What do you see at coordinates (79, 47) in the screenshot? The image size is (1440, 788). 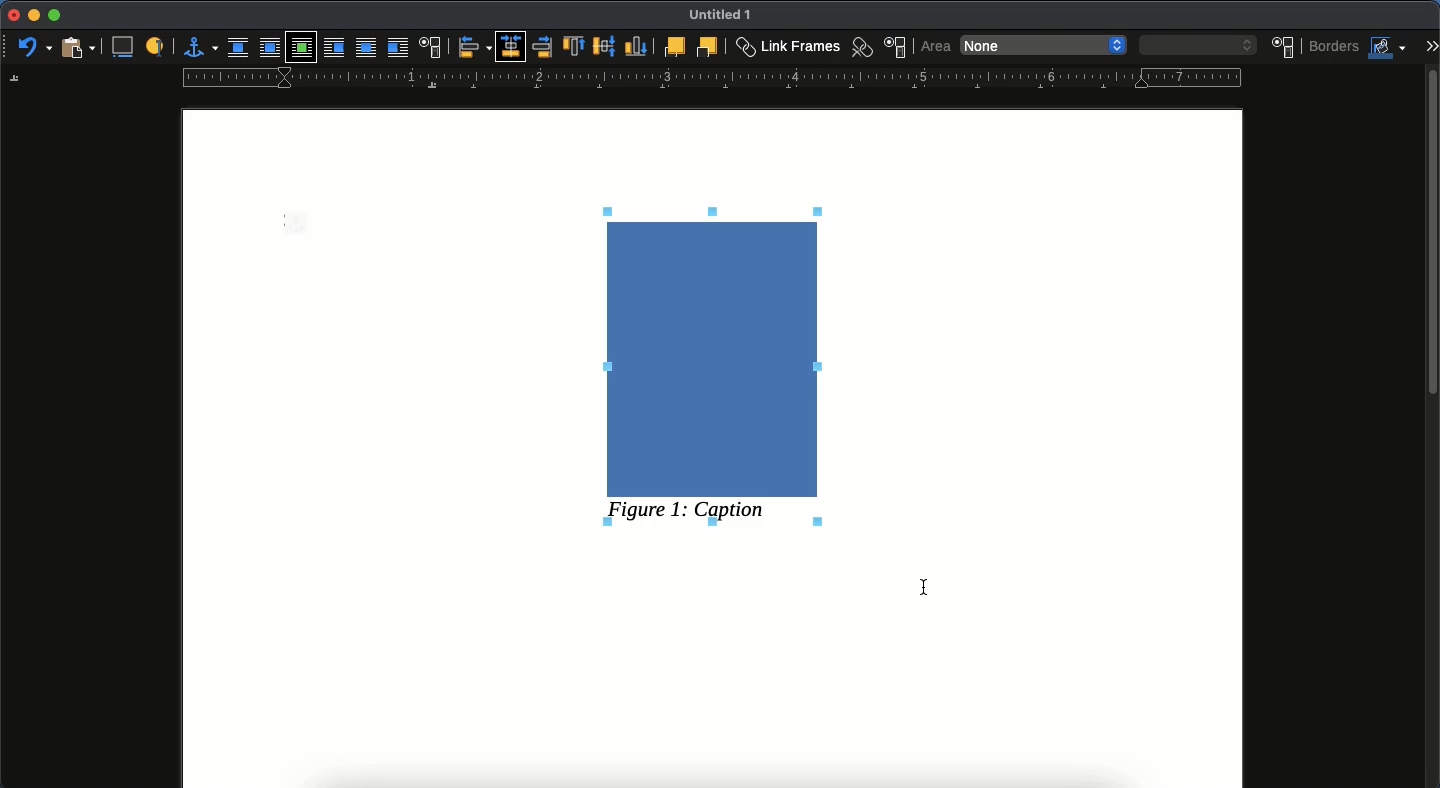 I see `paste` at bounding box center [79, 47].